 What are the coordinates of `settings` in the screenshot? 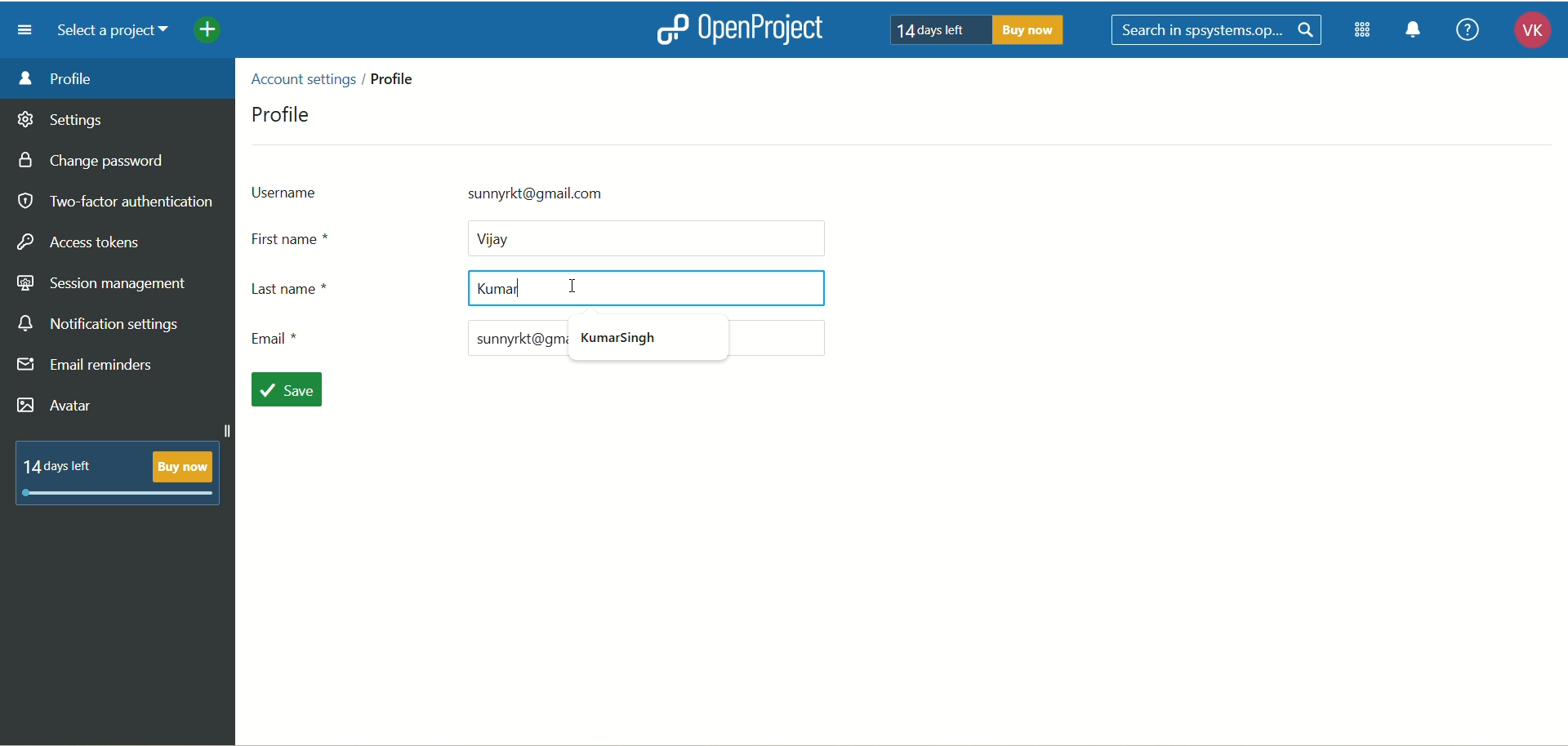 It's located at (61, 122).